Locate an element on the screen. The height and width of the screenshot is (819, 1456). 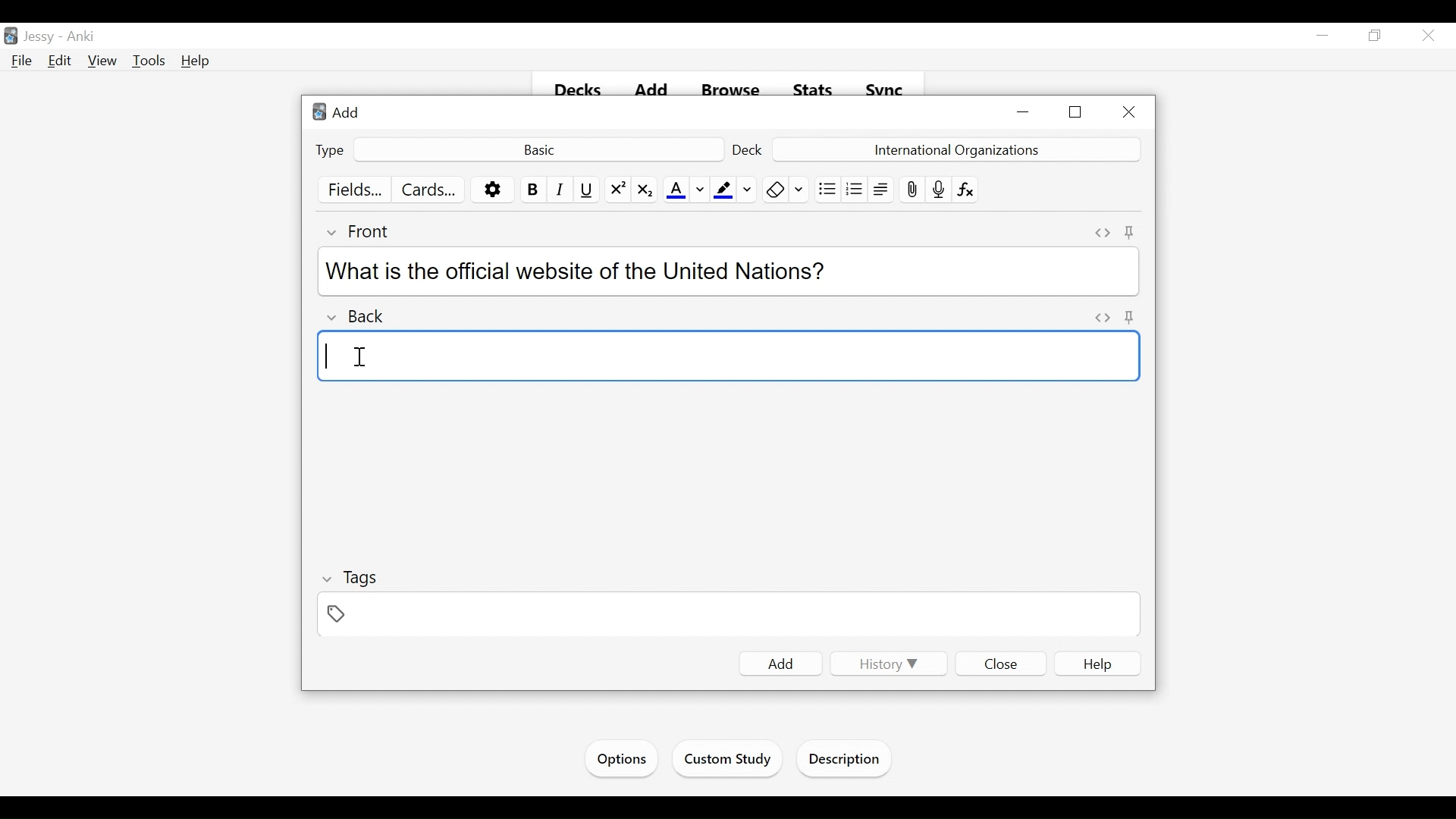
Unordered list is located at coordinates (826, 188).